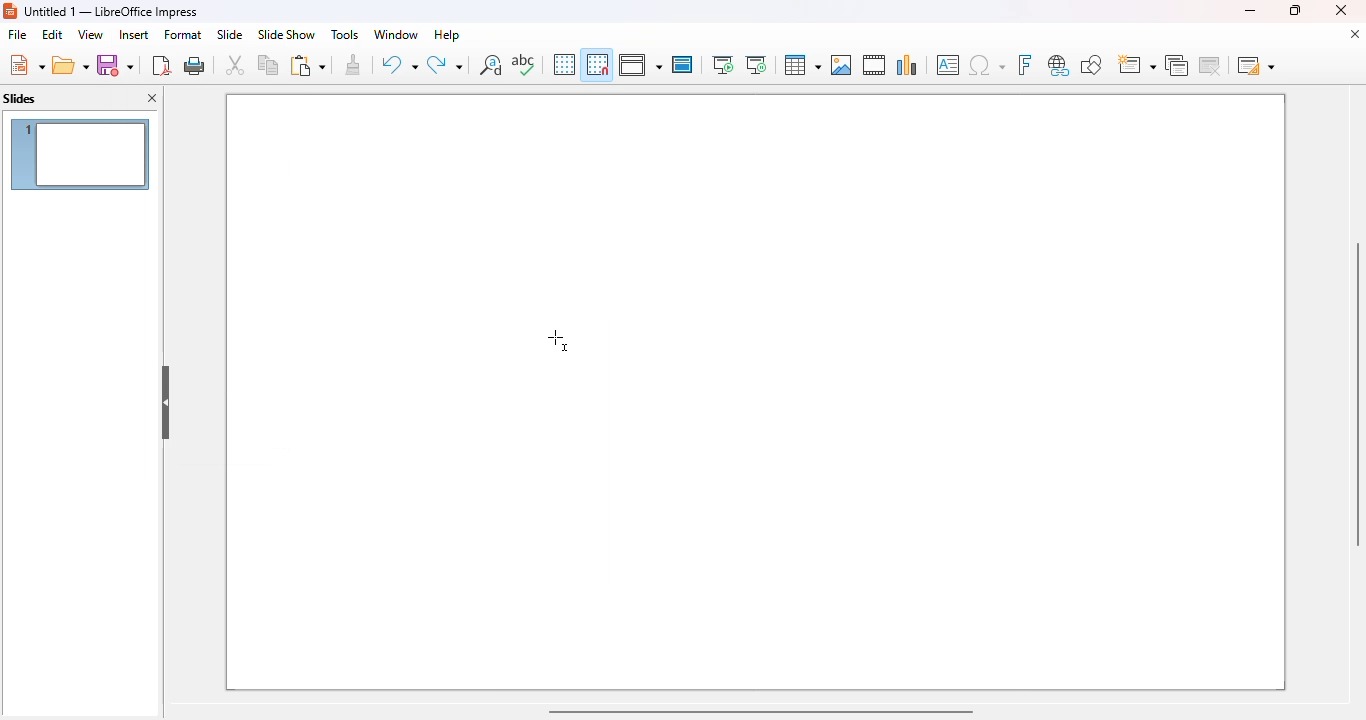 This screenshot has width=1366, height=720. Describe the element at coordinates (596, 64) in the screenshot. I see `snap to grid` at that location.